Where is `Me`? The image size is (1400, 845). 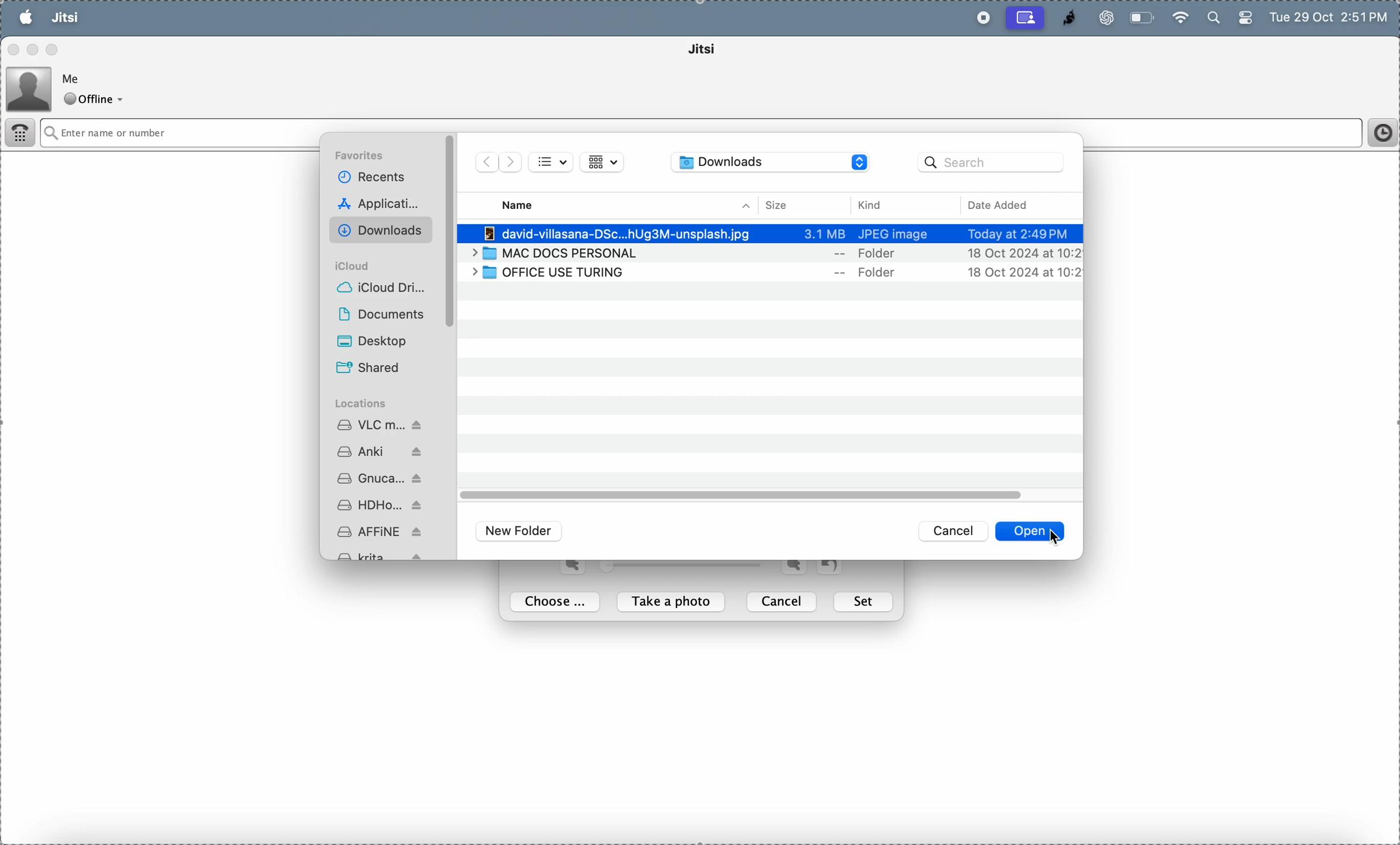
Me is located at coordinates (74, 77).